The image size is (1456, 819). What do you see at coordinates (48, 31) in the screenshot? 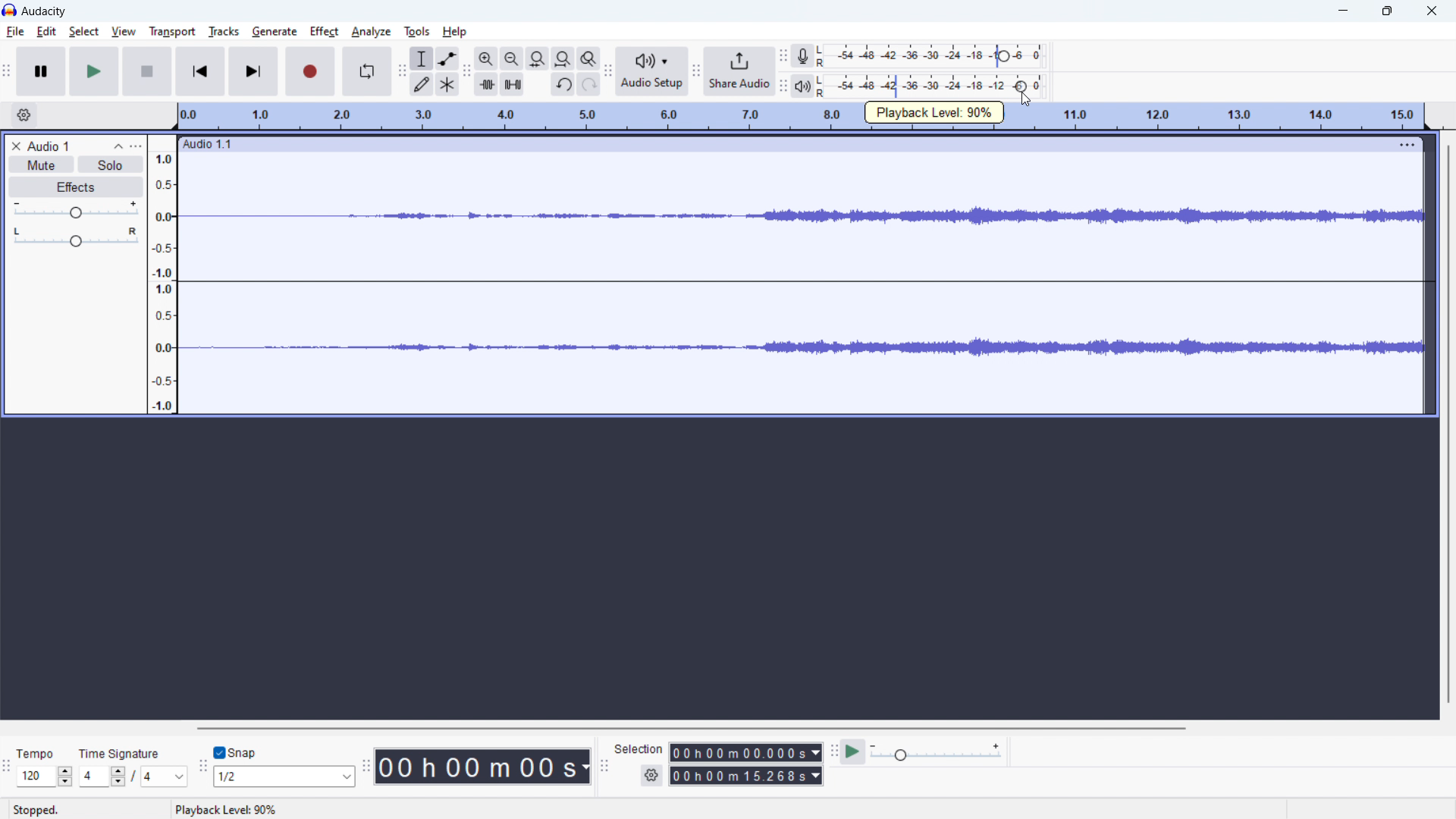
I see `edit` at bounding box center [48, 31].